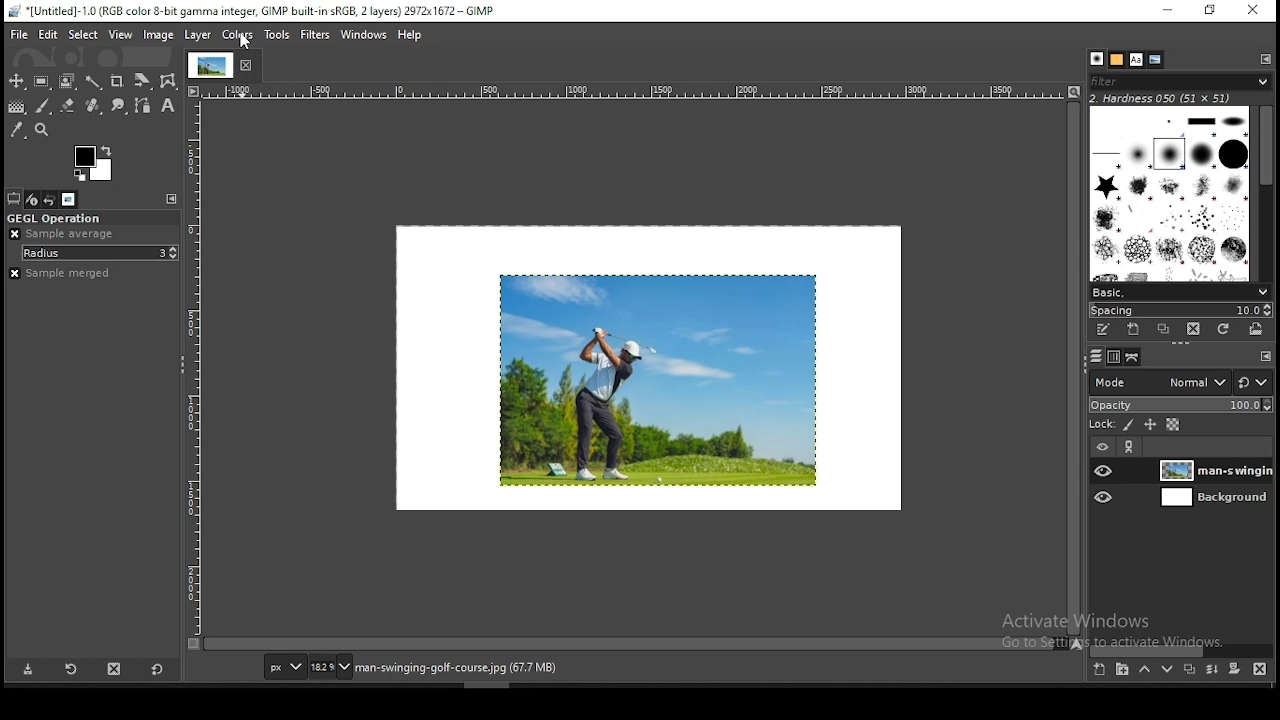 This screenshot has height=720, width=1280. What do you see at coordinates (1101, 497) in the screenshot?
I see `layer visibility on/off` at bounding box center [1101, 497].